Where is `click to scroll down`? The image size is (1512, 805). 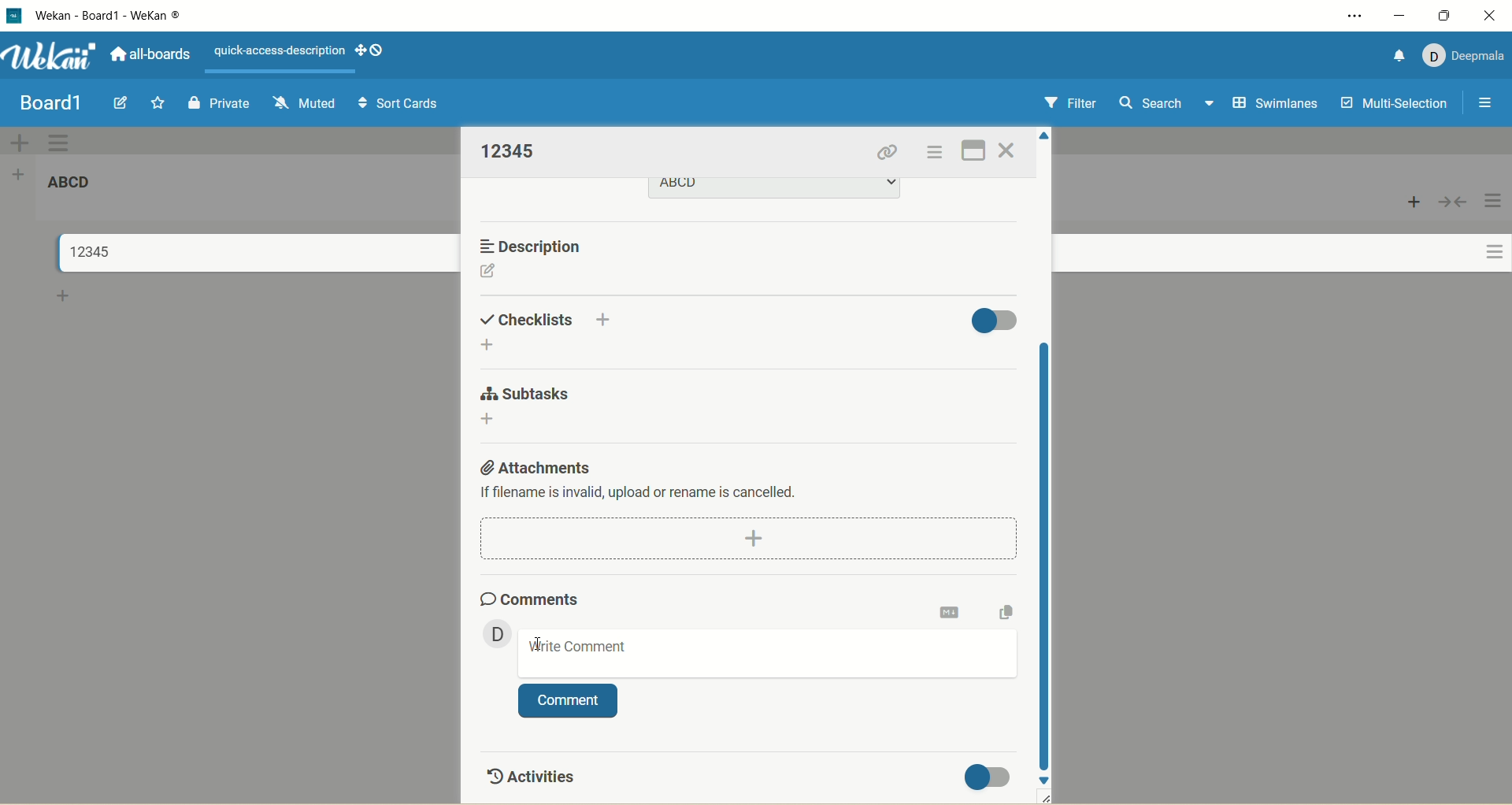
click to scroll down is located at coordinates (1045, 779).